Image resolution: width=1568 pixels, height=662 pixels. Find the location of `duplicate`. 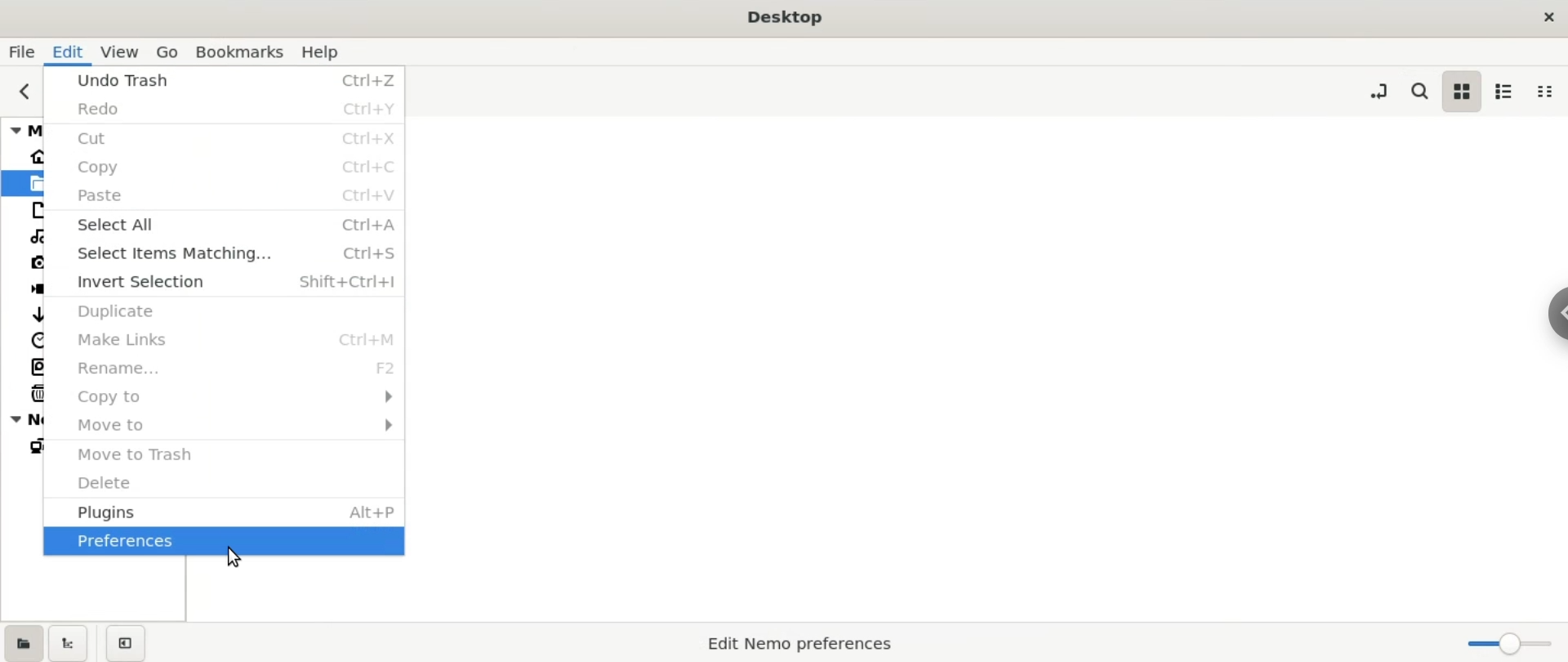

duplicate is located at coordinates (223, 311).